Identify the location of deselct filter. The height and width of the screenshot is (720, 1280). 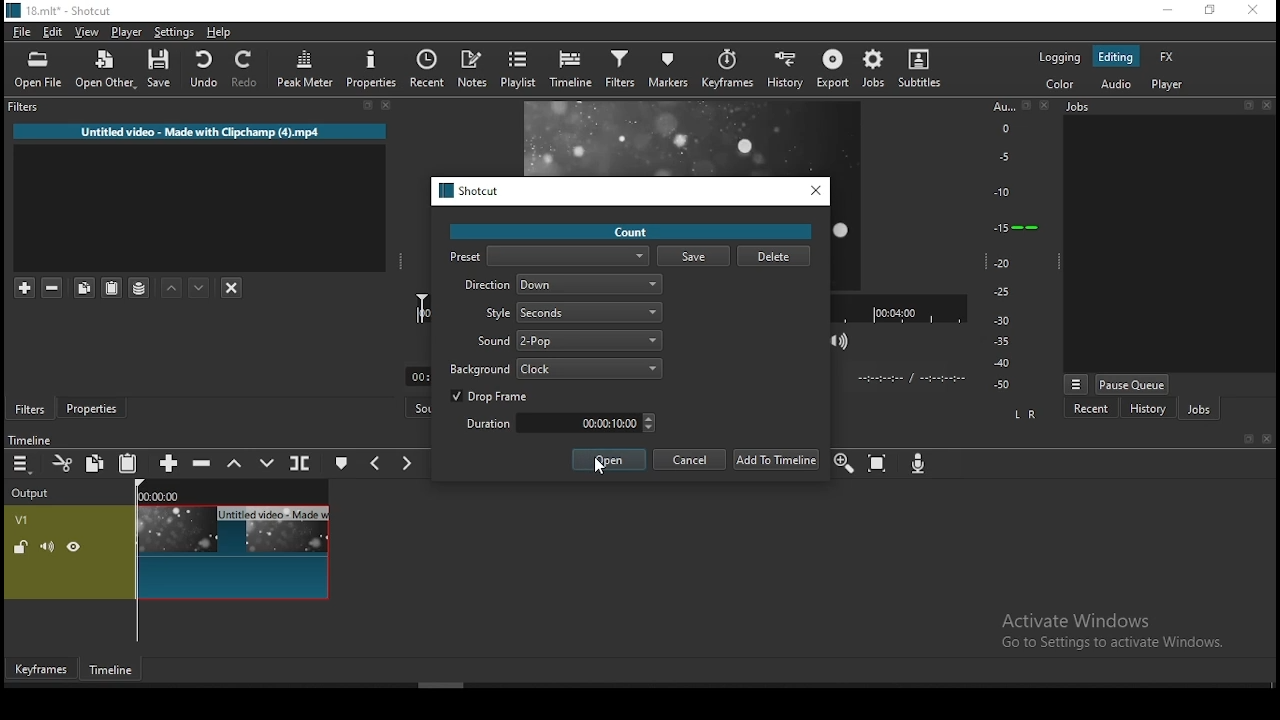
(231, 286).